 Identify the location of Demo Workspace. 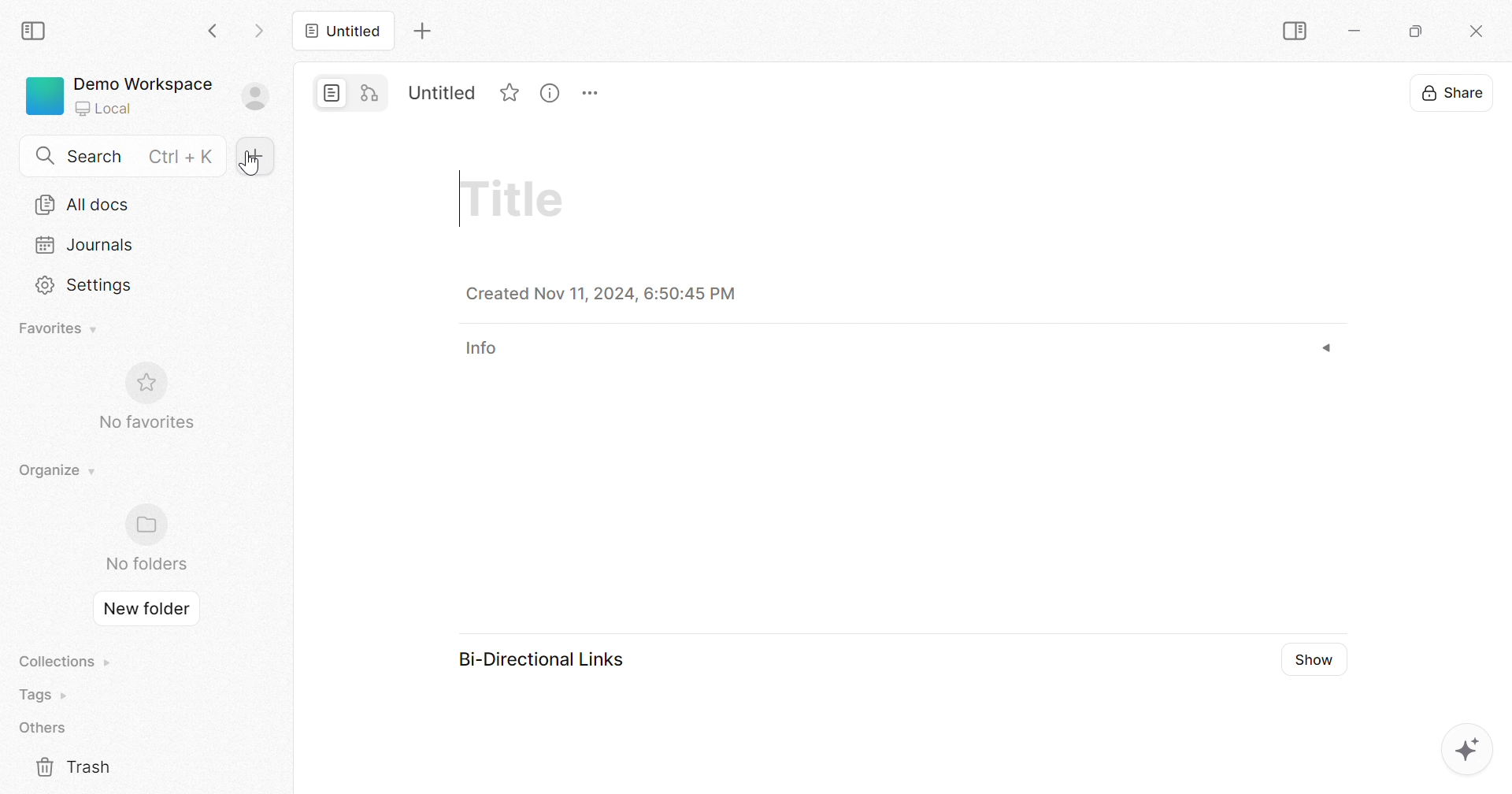
(144, 83).